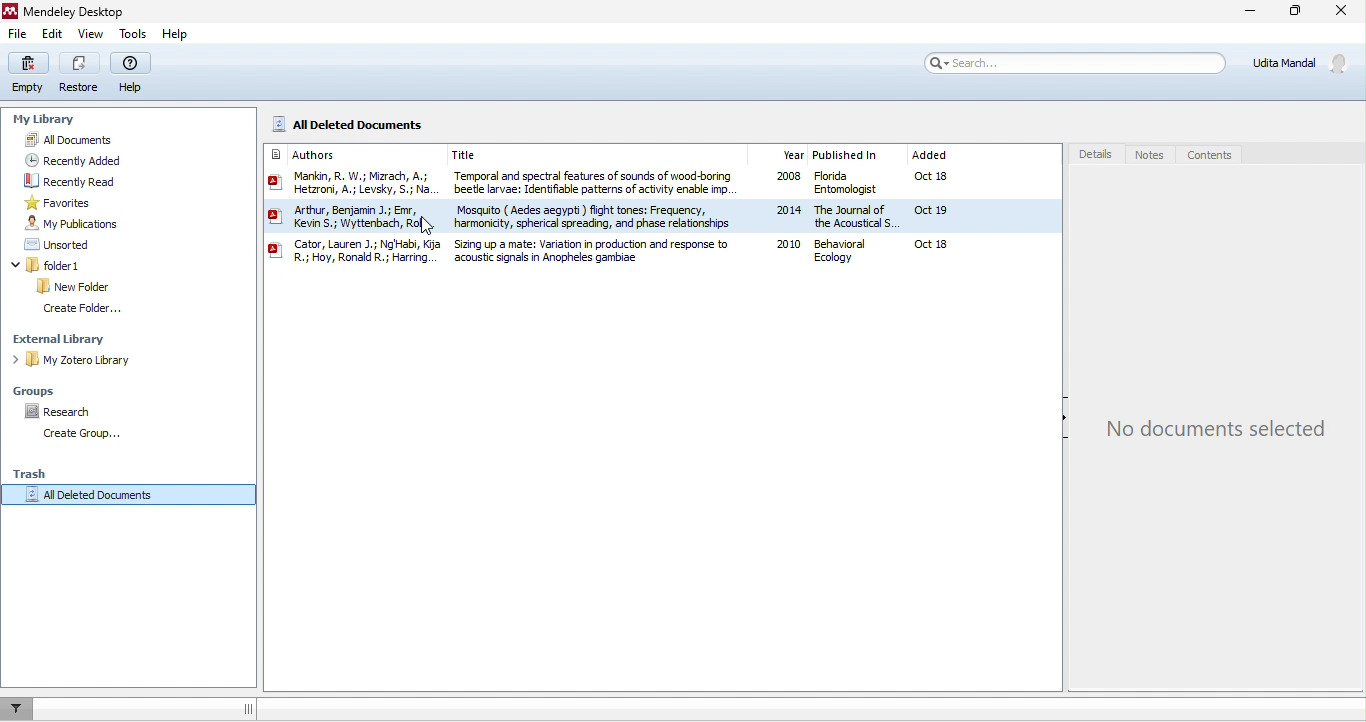 Image resolution: width=1366 pixels, height=722 pixels. What do you see at coordinates (85, 309) in the screenshot?
I see `create folder` at bounding box center [85, 309].